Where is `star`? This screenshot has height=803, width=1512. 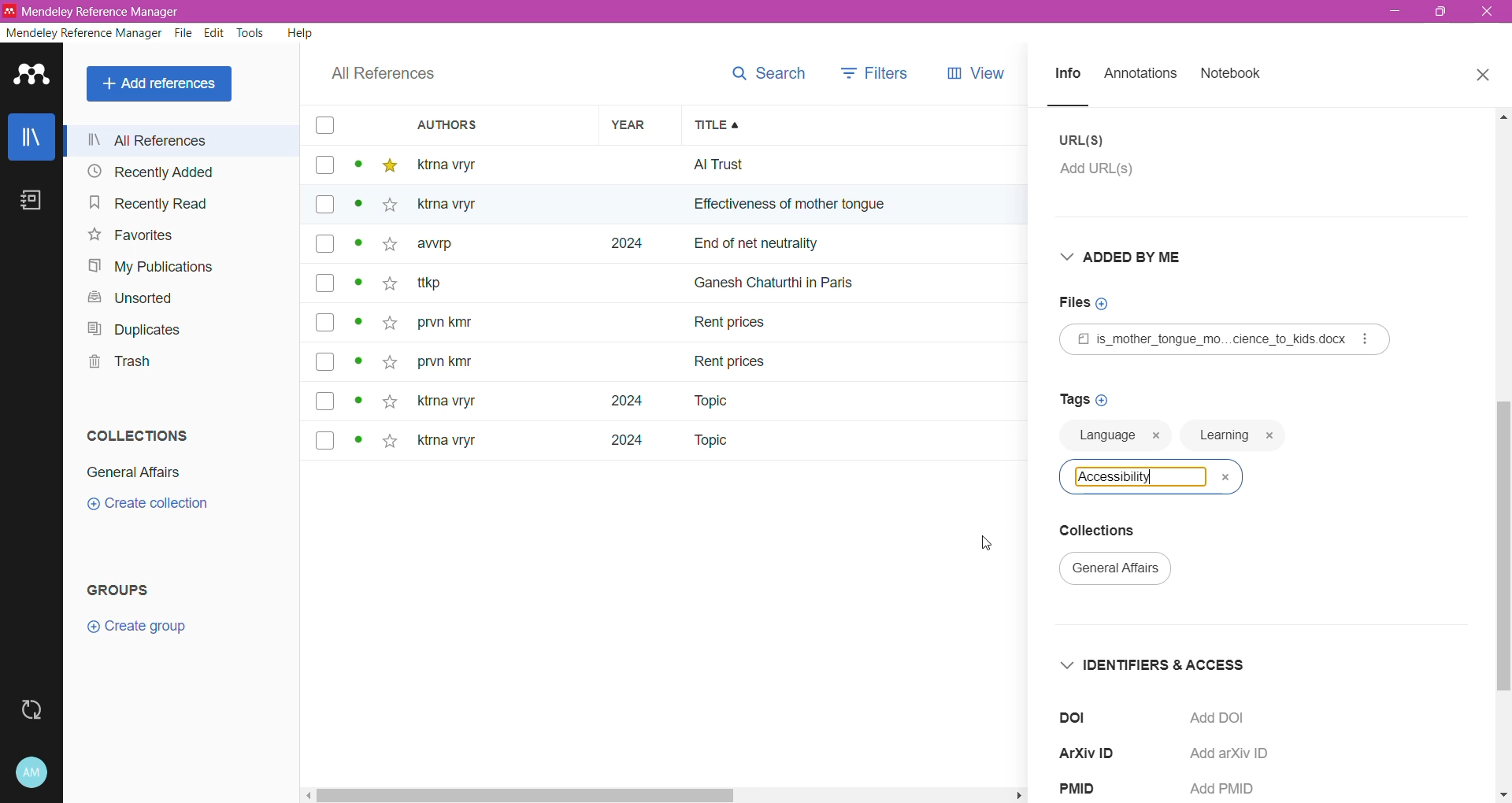
star is located at coordinates (387, 324).